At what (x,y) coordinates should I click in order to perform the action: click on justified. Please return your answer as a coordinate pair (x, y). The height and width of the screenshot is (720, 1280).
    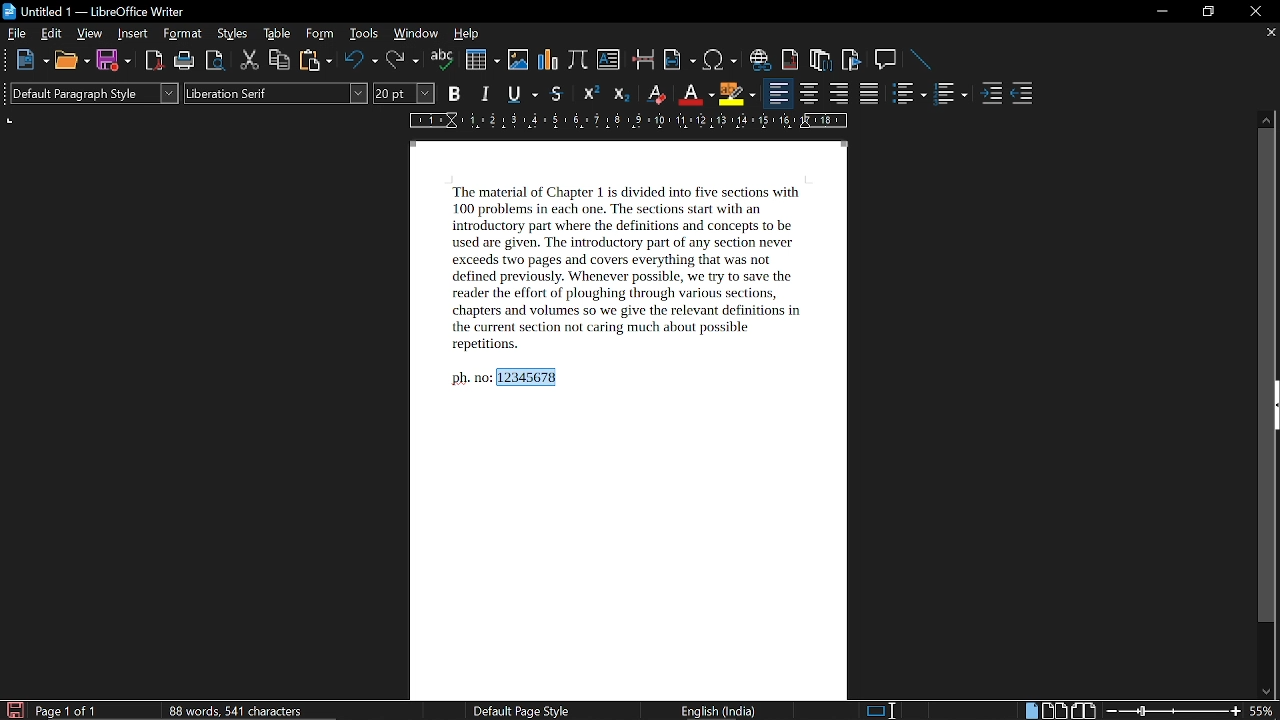
    Looking at the image, I should click on (872, 95).